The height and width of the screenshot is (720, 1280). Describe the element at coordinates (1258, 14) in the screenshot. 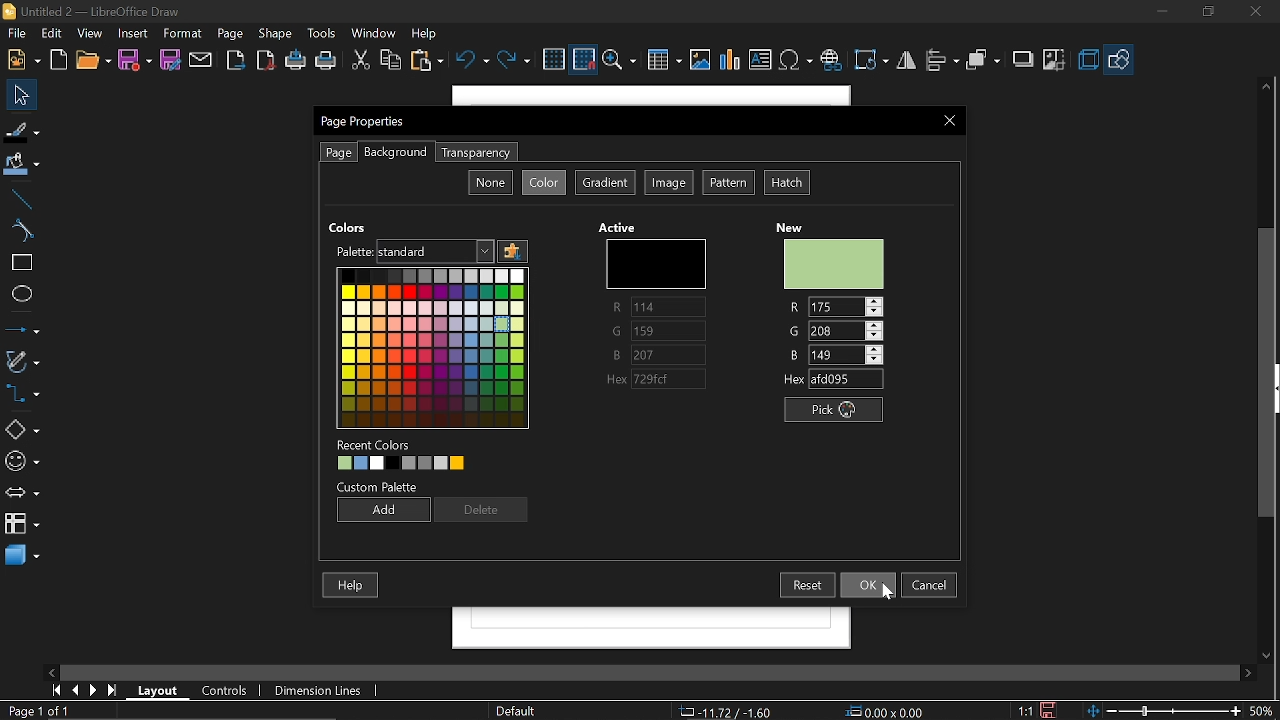

I see `CLose` at that location.